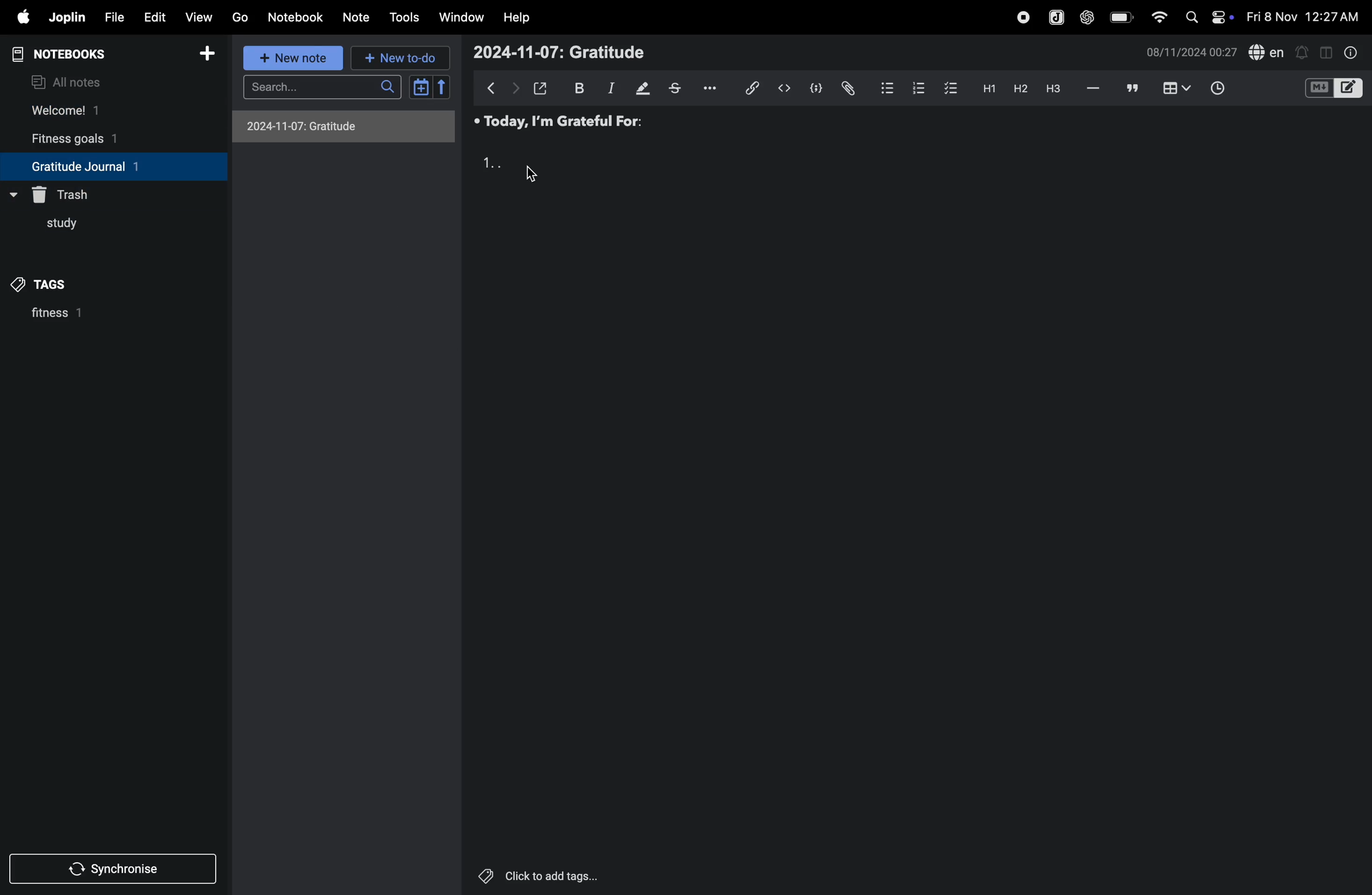  Describe the element at coordinates (85, 317) in the screenshot. I see `fitness 1` at that location.